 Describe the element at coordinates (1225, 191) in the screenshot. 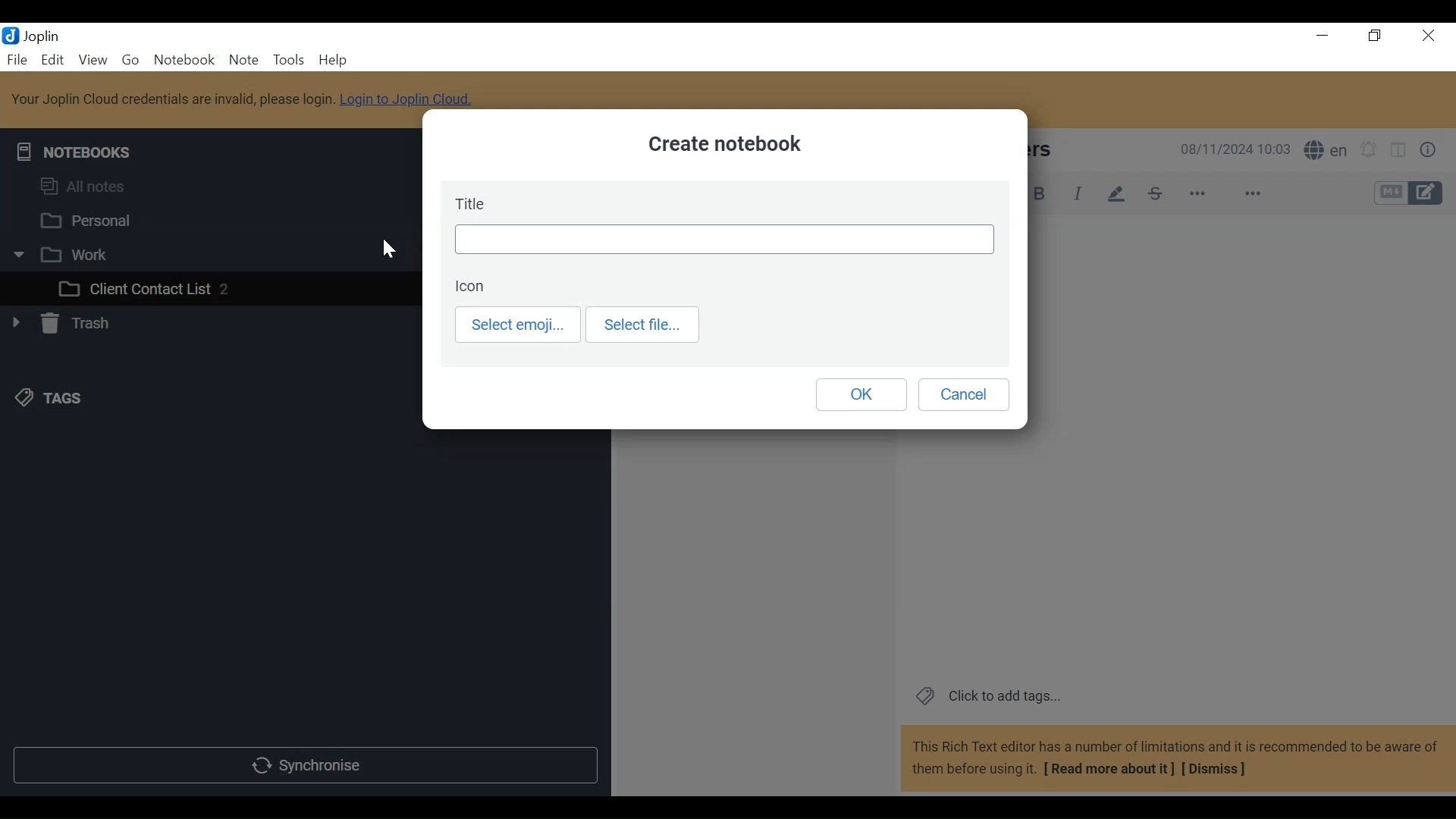

I see `more` at that location.